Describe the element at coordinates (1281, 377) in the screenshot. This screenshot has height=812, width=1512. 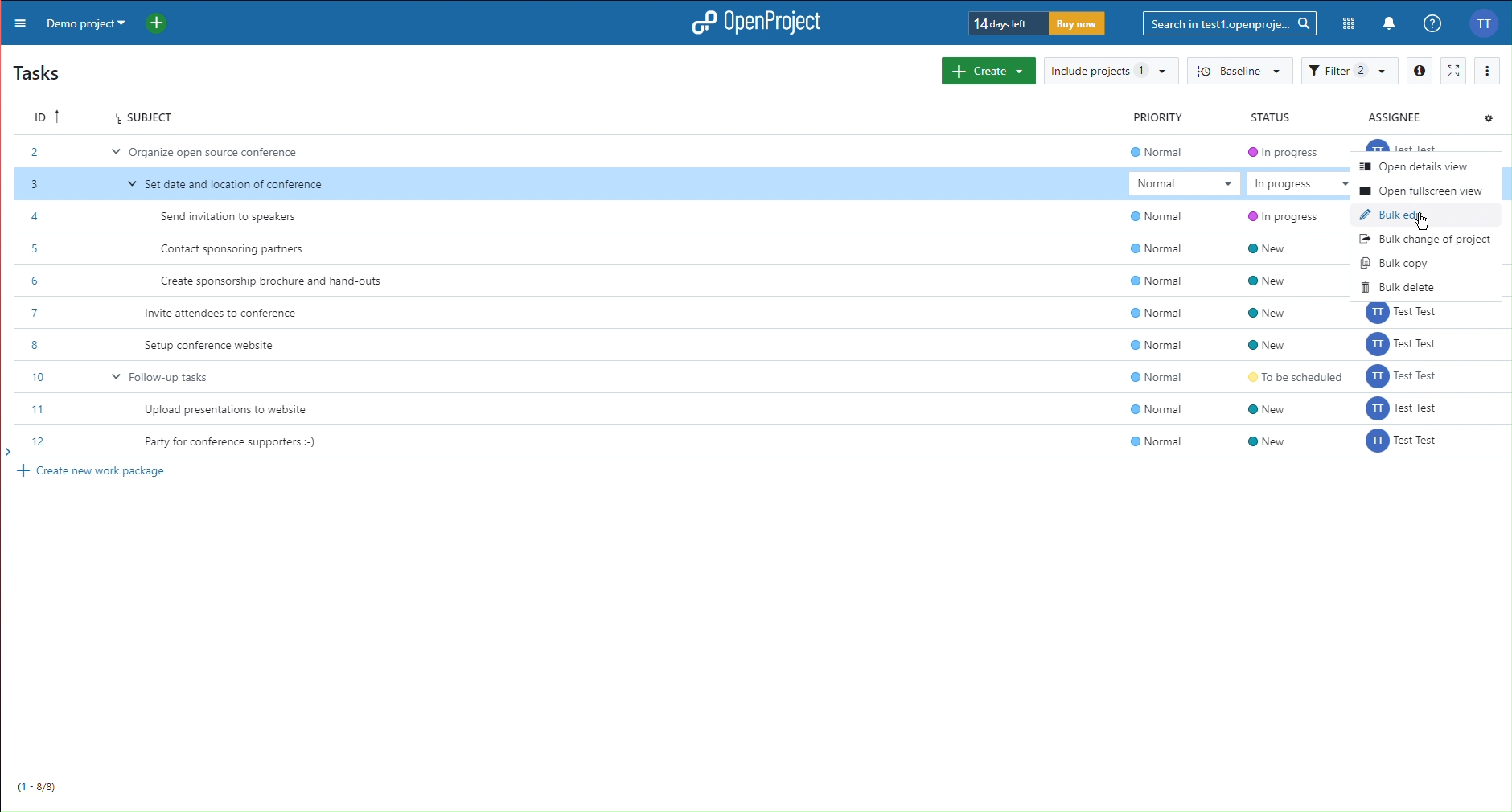
I see `to be scheduled` at that location.